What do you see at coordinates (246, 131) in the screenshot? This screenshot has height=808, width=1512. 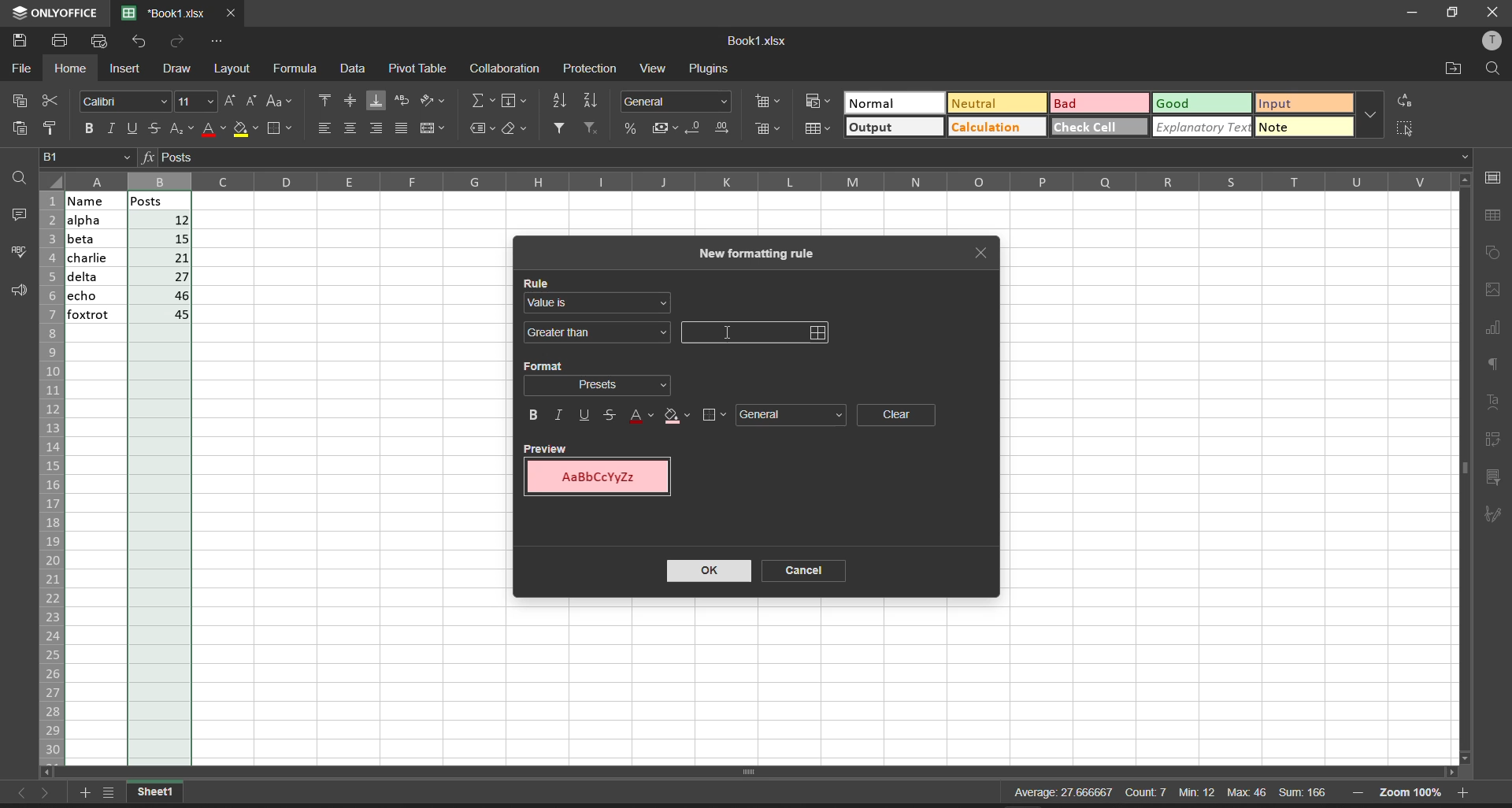 I see `fill color` at bounding box center [246, 131].